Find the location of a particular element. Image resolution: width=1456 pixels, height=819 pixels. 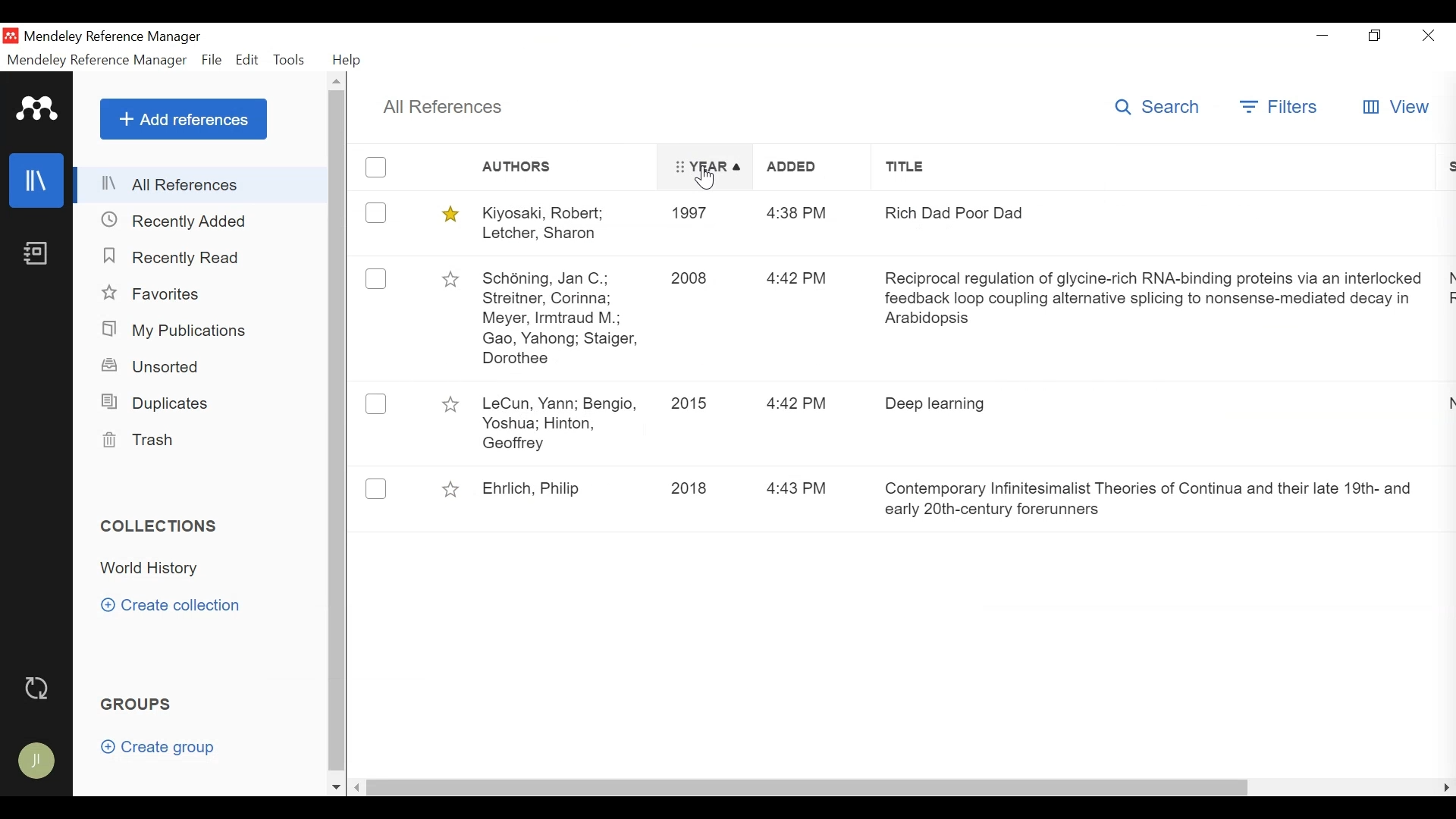

(un)Select Favorites is located at coordinates (451, 214).